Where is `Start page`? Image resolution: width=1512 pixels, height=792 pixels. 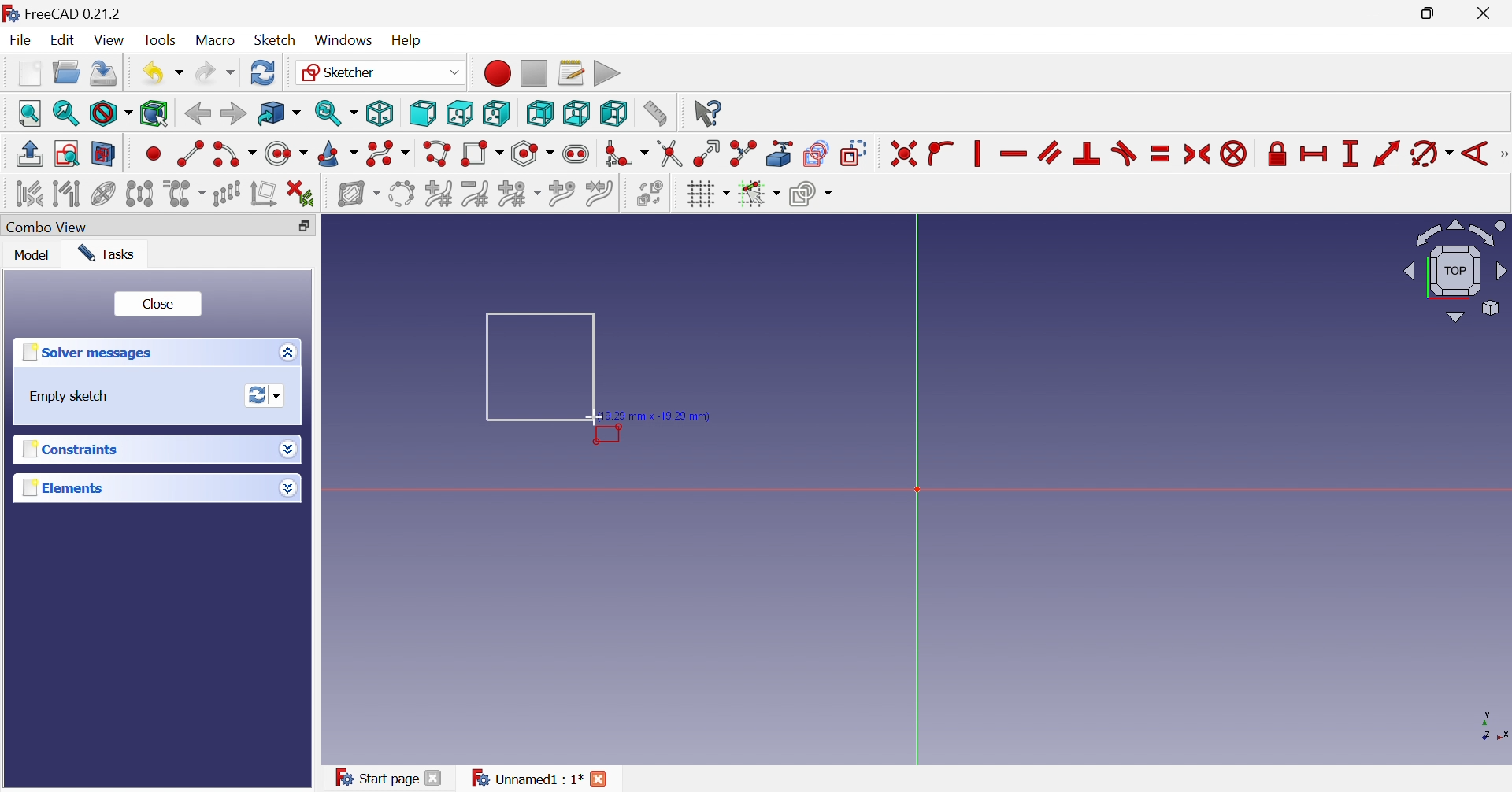 Start page is located at coordinates (376, 776).